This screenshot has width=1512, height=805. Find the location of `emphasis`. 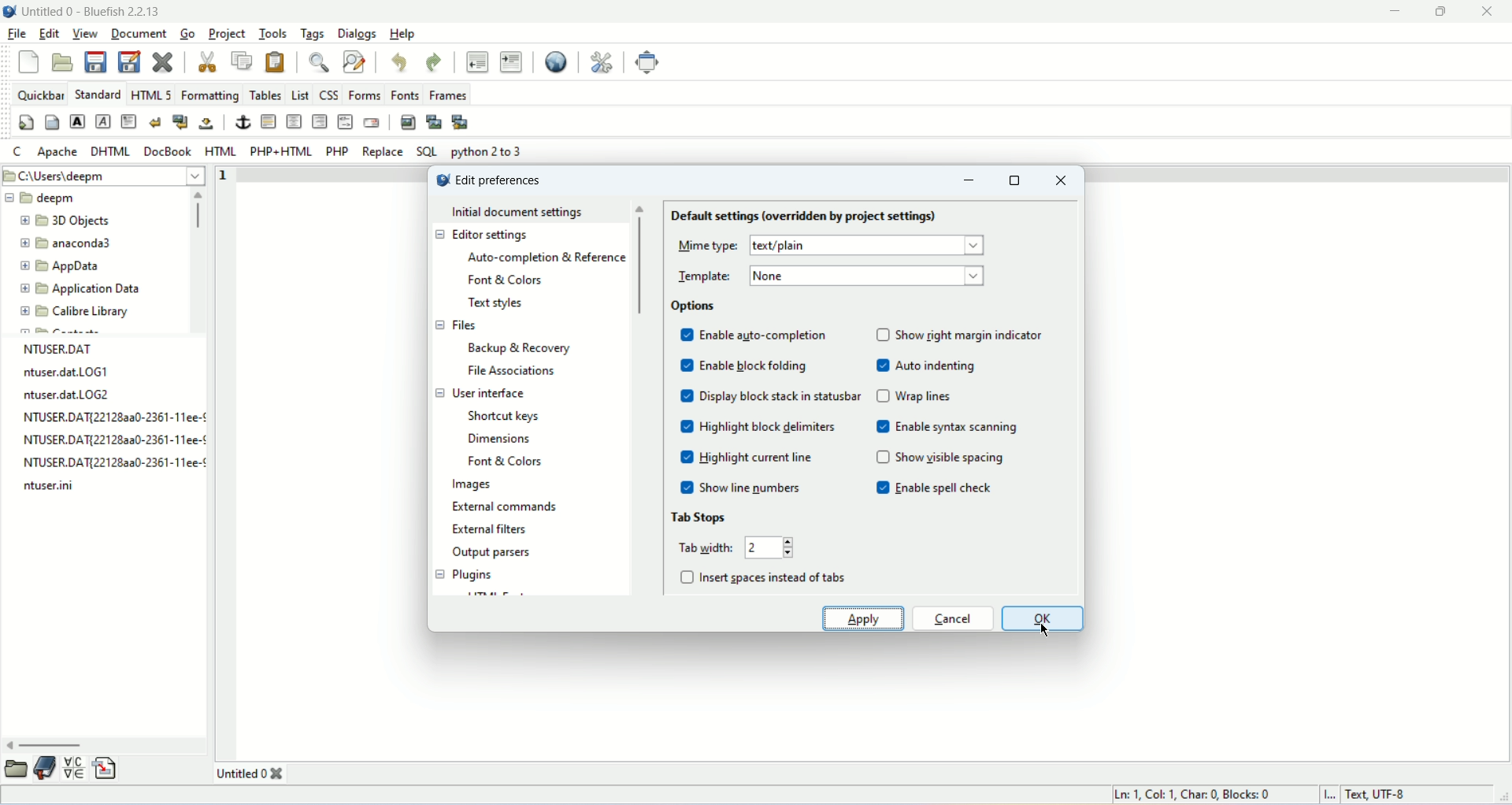

emphasis is located at coordinates (101, 122).